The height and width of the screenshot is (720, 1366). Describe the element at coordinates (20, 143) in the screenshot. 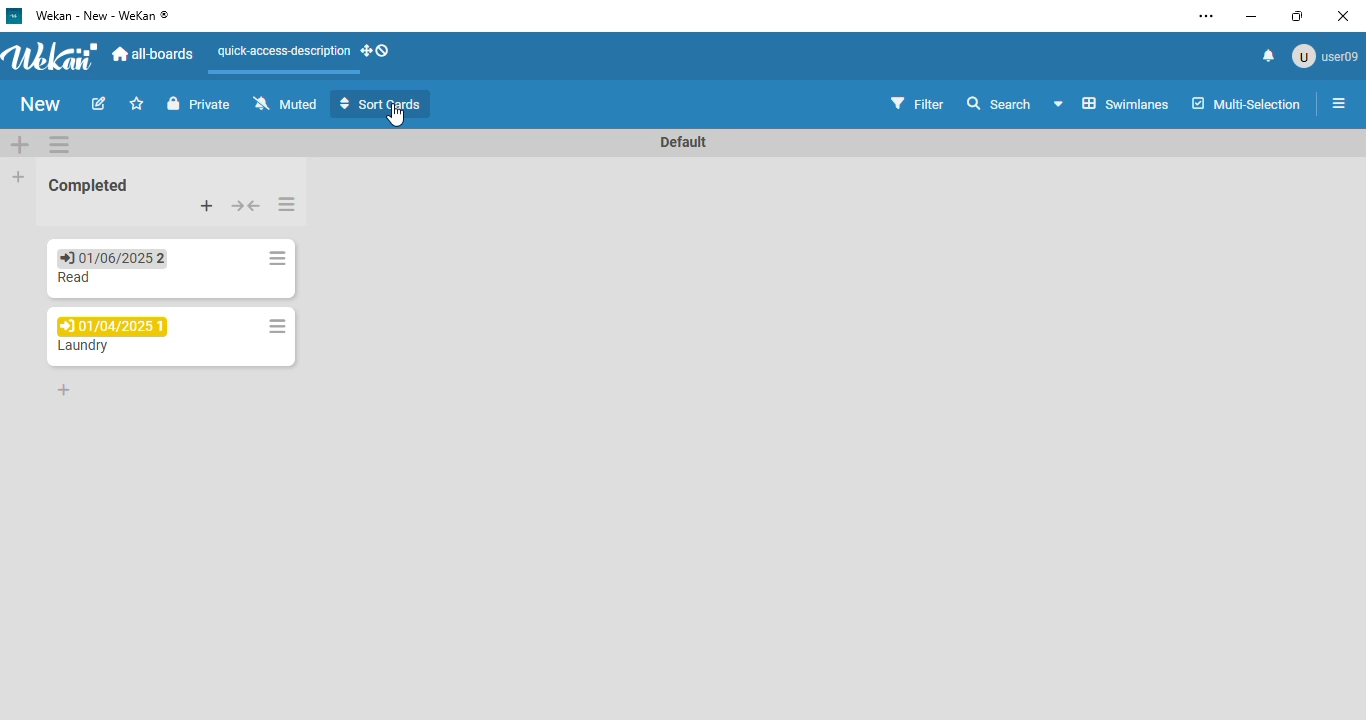

I see `add swimlane` at that location.